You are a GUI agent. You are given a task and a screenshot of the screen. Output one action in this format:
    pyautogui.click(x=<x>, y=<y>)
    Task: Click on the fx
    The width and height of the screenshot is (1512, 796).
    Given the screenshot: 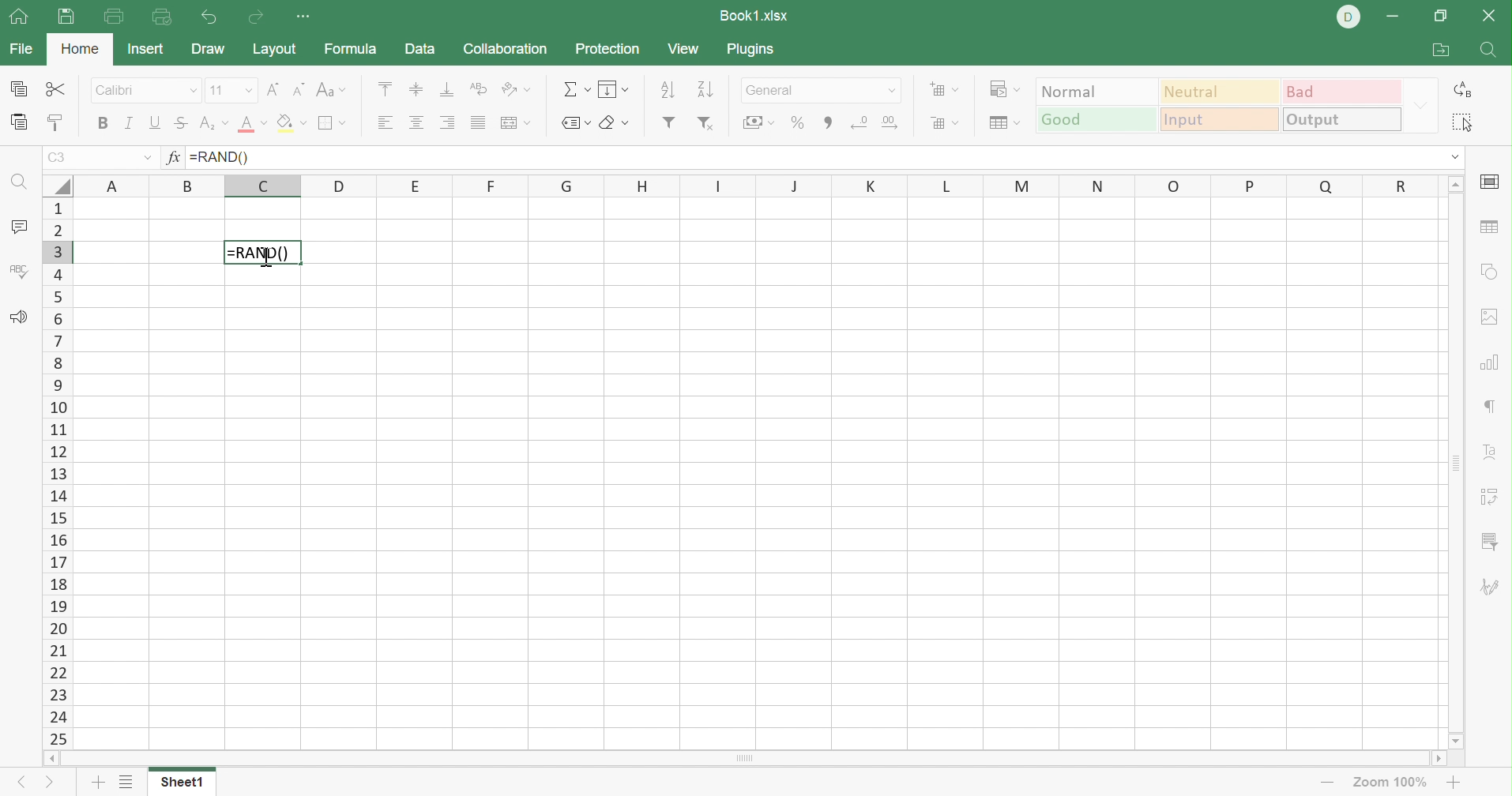 What is the action you would take?
    pyautogui.click(x=178, y=157)
    